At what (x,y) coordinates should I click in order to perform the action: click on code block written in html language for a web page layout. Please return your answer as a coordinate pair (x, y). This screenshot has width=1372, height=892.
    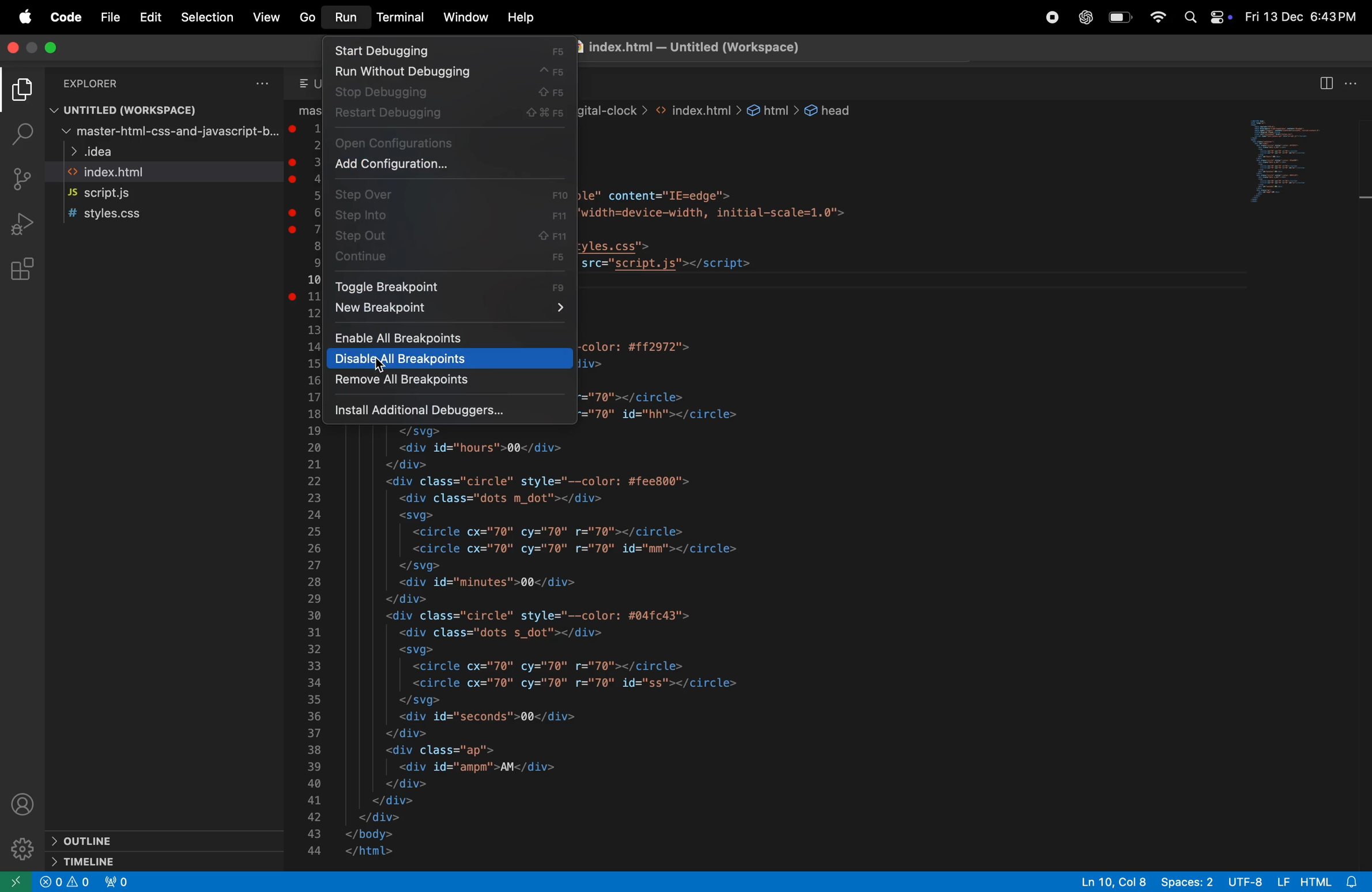
    Looking at the image, I should click on (745, 655).